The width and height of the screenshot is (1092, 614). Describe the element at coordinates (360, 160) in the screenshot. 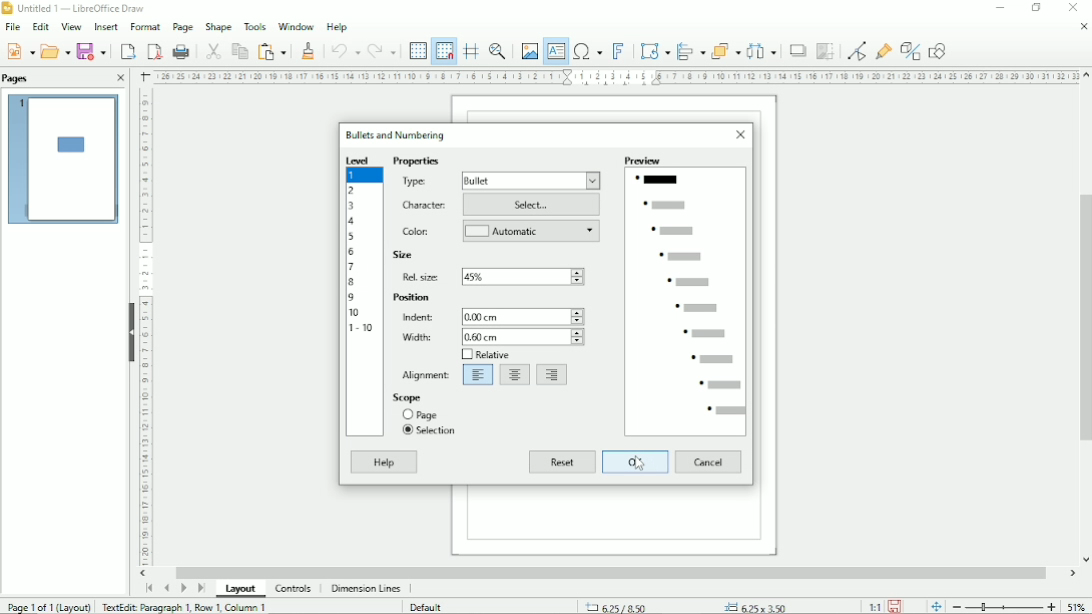

I see `Level` at that location.